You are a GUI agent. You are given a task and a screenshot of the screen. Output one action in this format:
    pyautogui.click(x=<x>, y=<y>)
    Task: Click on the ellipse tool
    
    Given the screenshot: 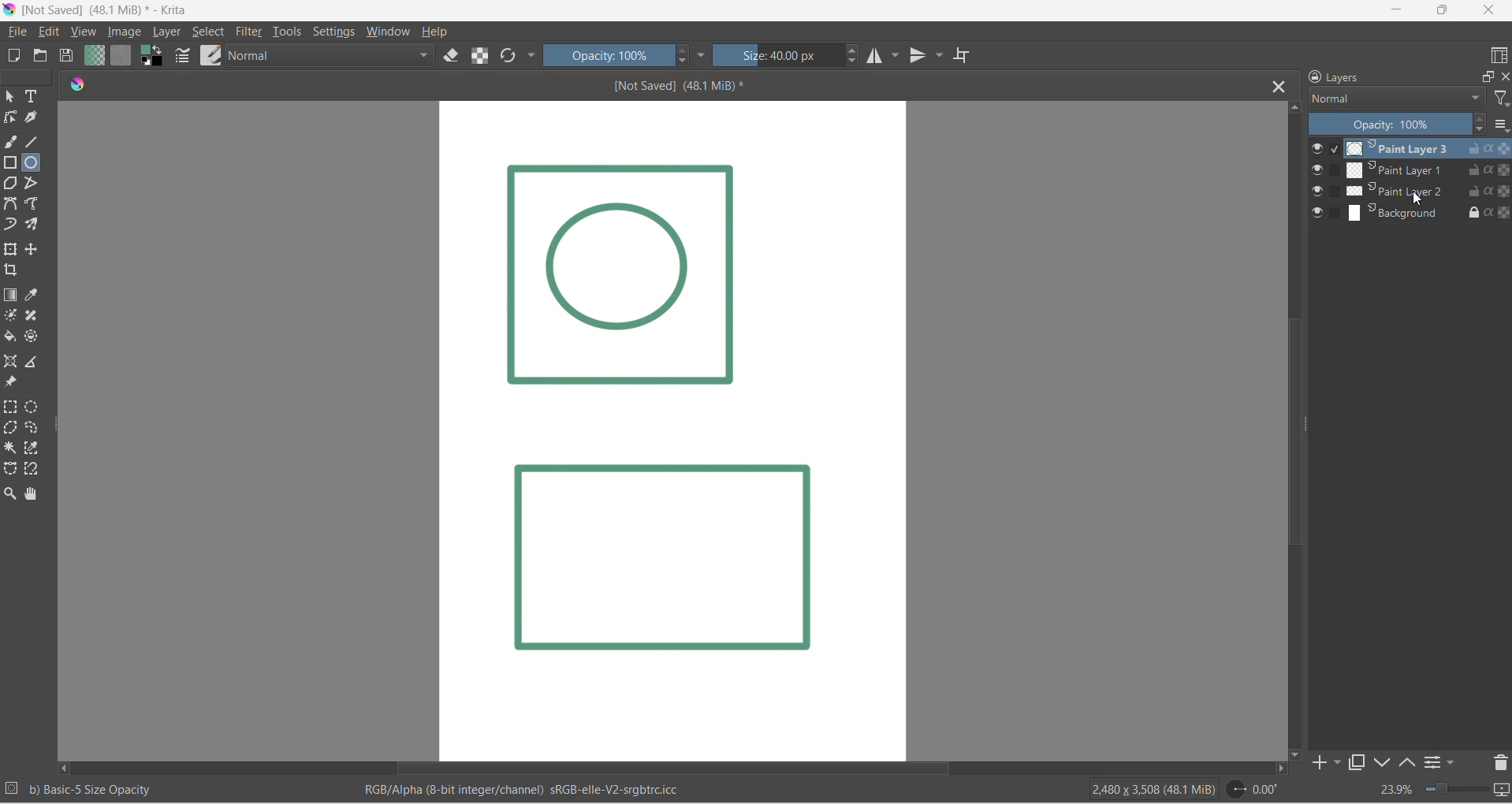 What is the action you would take?
    pyautogui.click(x=37, y=164)
    